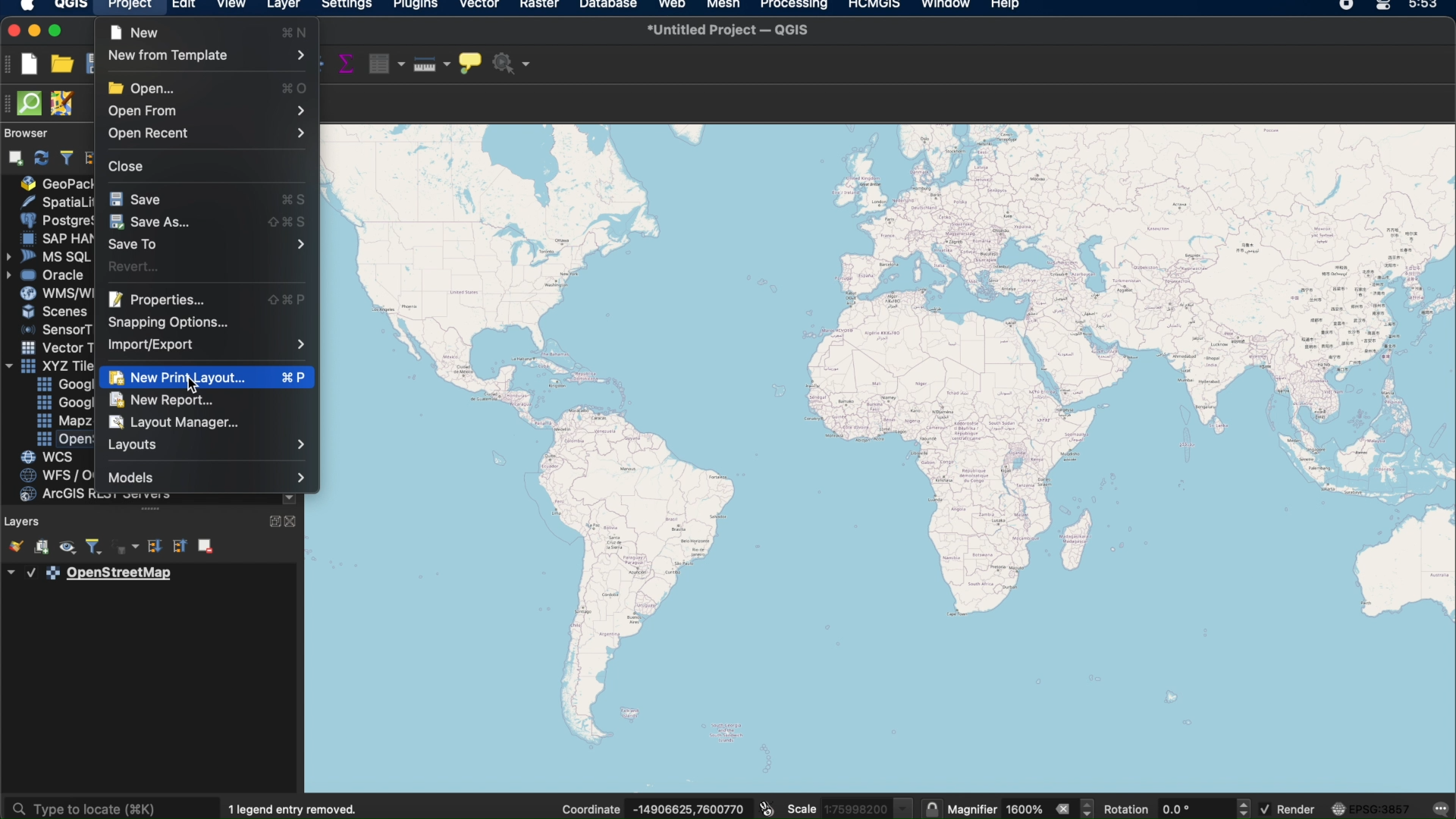  What do you see at coordinates (607, 6) in the screenshot?
I see `database` at bounding box center [607, 6].